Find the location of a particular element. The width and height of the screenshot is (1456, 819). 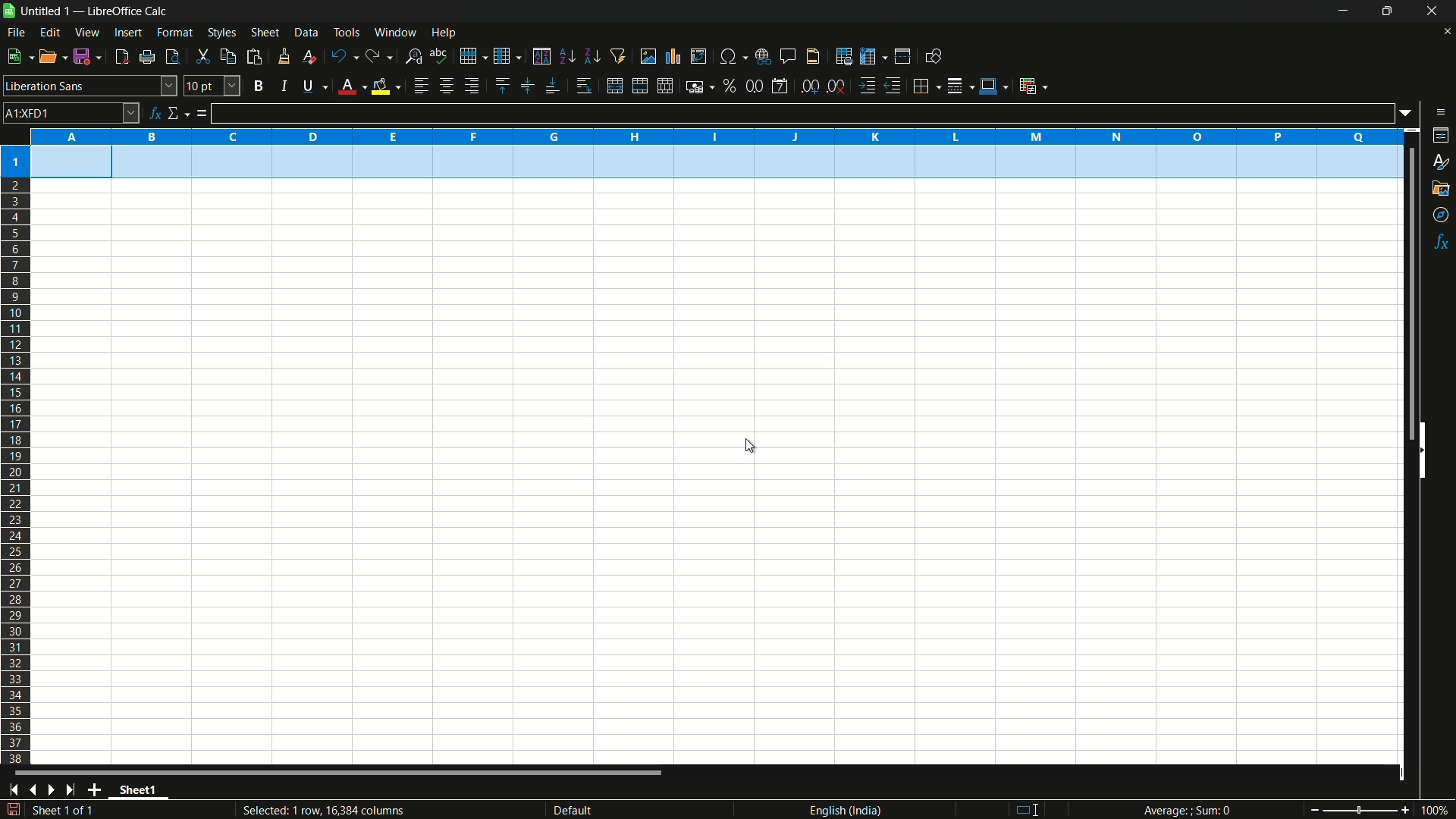

center vertically is located at coordinates (526, 86).